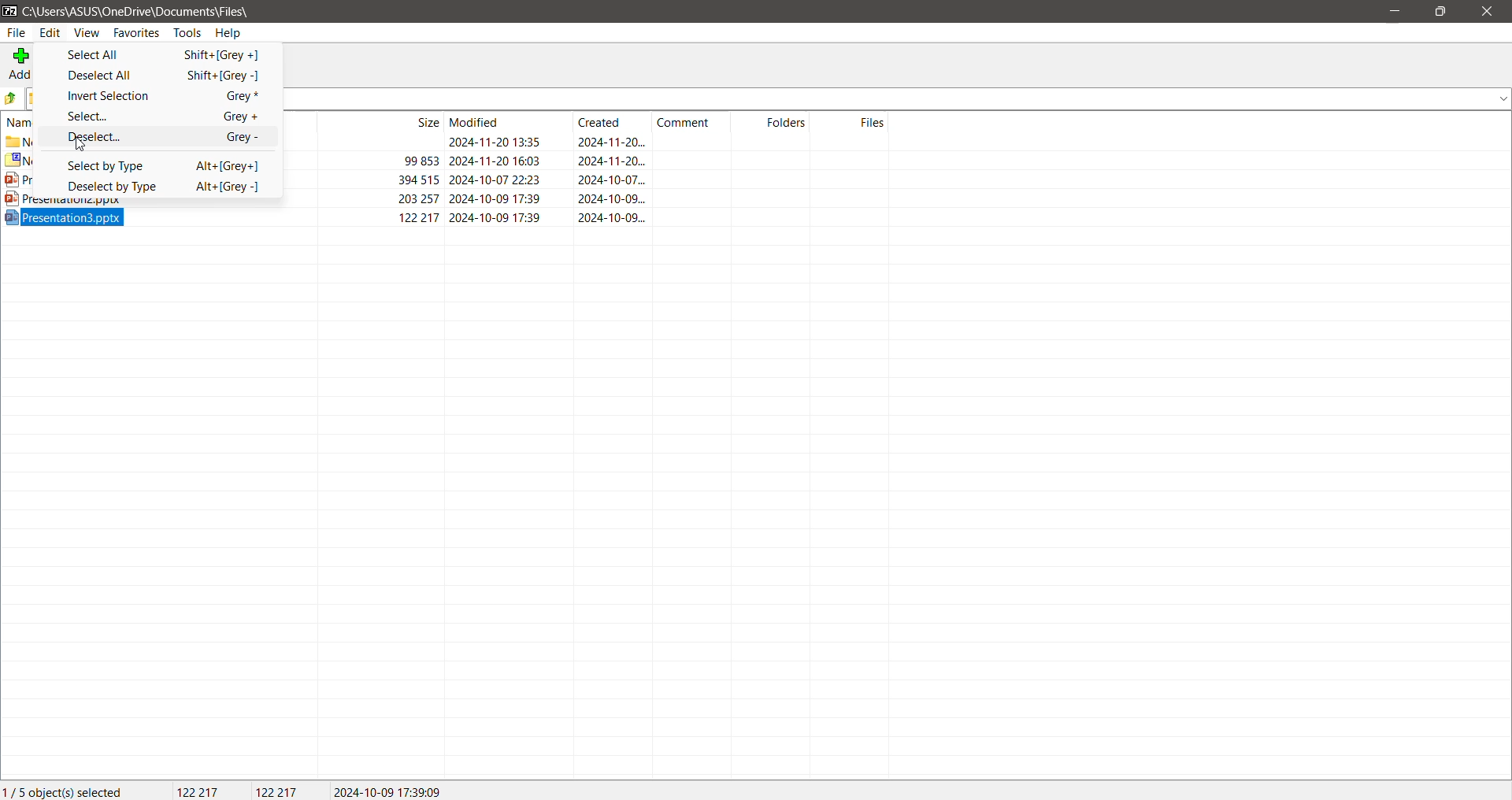 This screenshot has width=1512, height=800. Describe the element at coordinates (899, 98) in the screenshot. I see `Current Folder Path` at that location.